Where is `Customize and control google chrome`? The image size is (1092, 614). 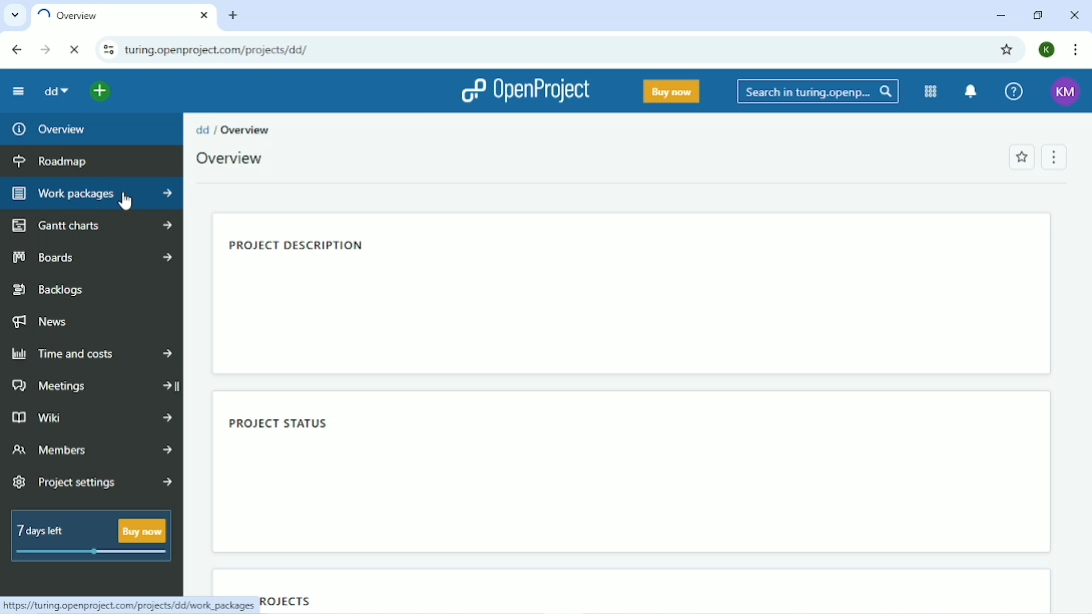
Customize and control google chrome is located at coordinates (1073, 50).